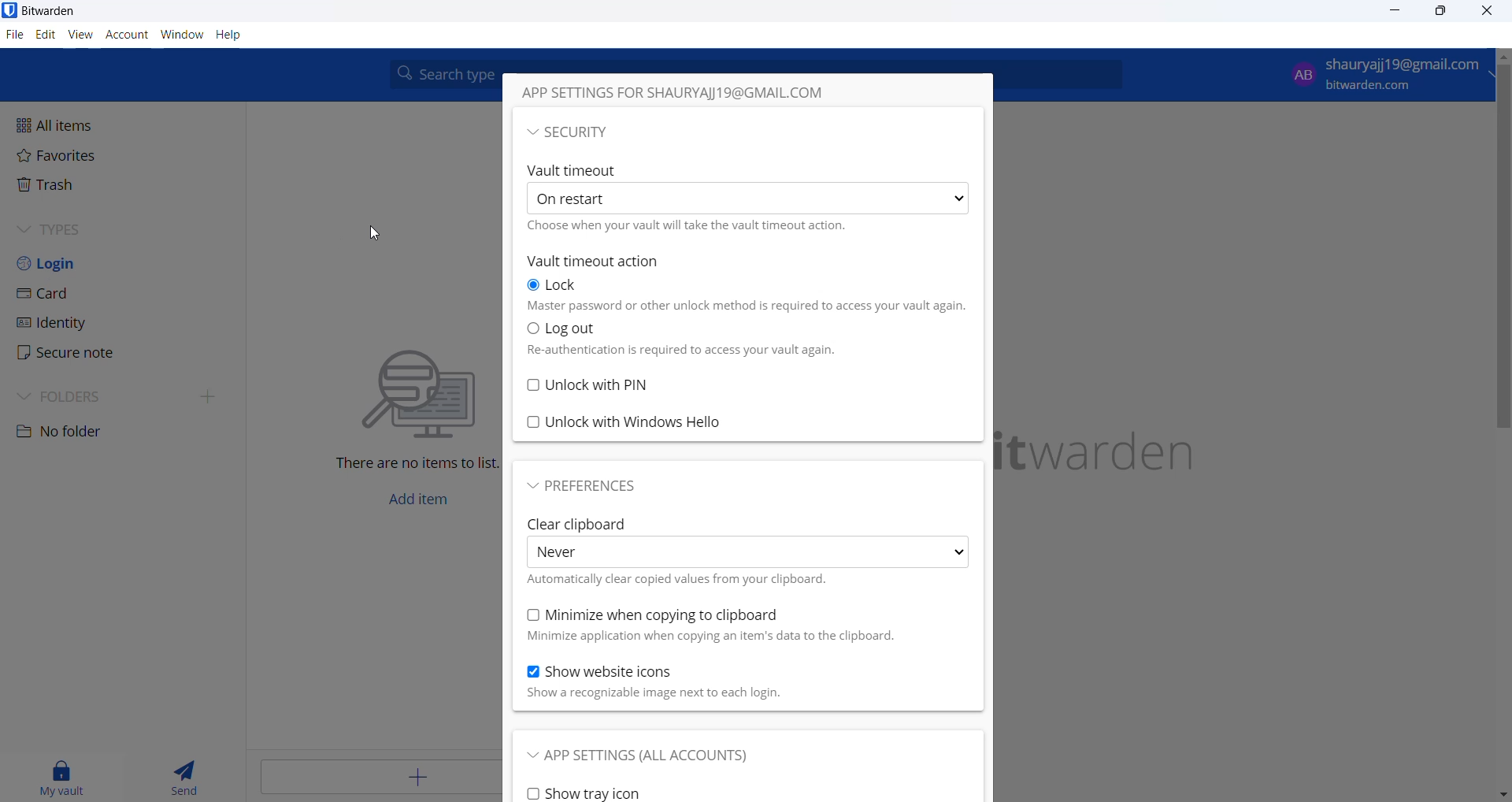  What do you see at coordinates (421, 504) in the screenshot?
I see `add item` at bounding box center [421, 504].